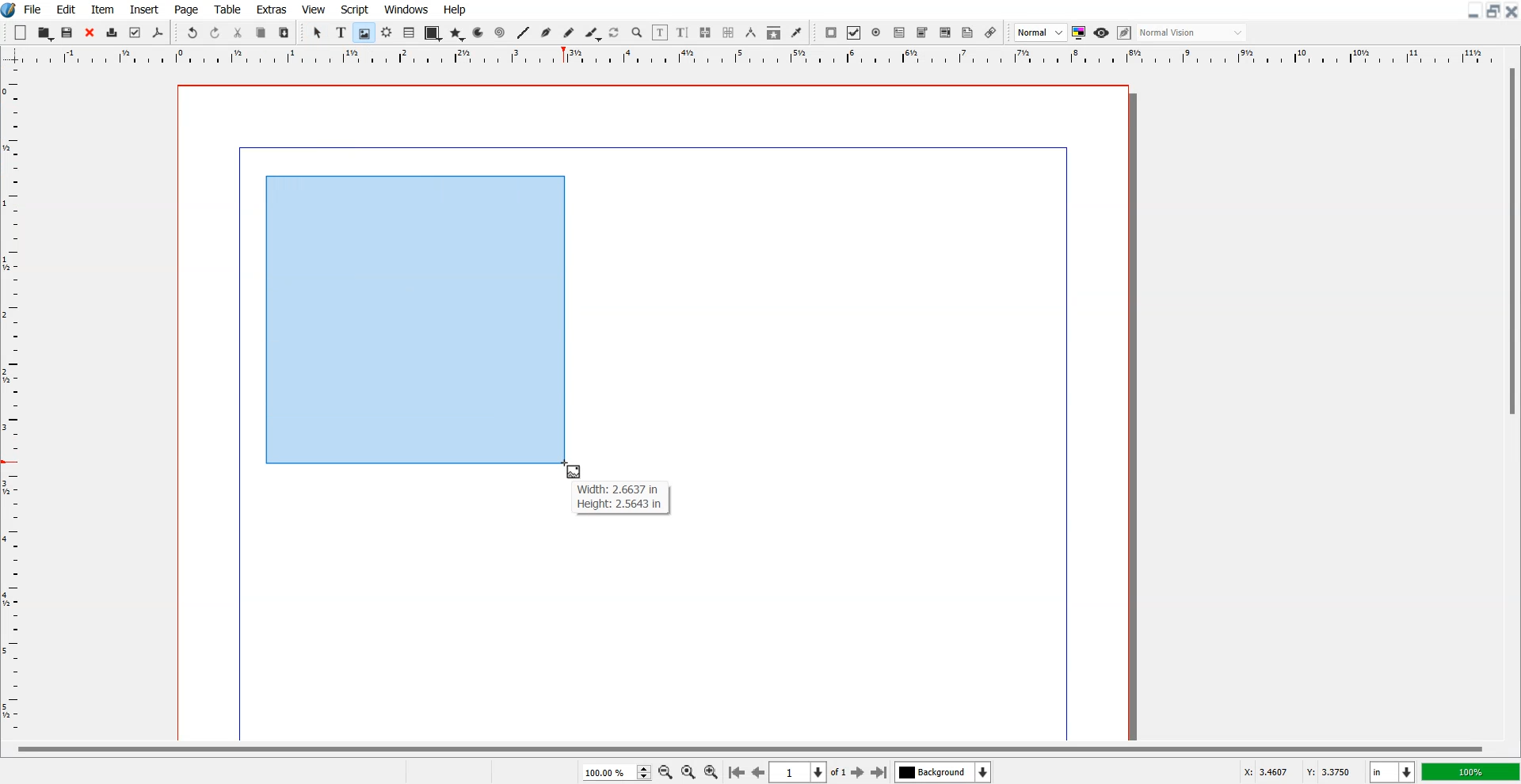 The width and height of the screenshot is (1521, 784). What do you see at coordinates (757, 772) in the screenshot?
I see `Go to Previous page` at bounding box center [757, 772].